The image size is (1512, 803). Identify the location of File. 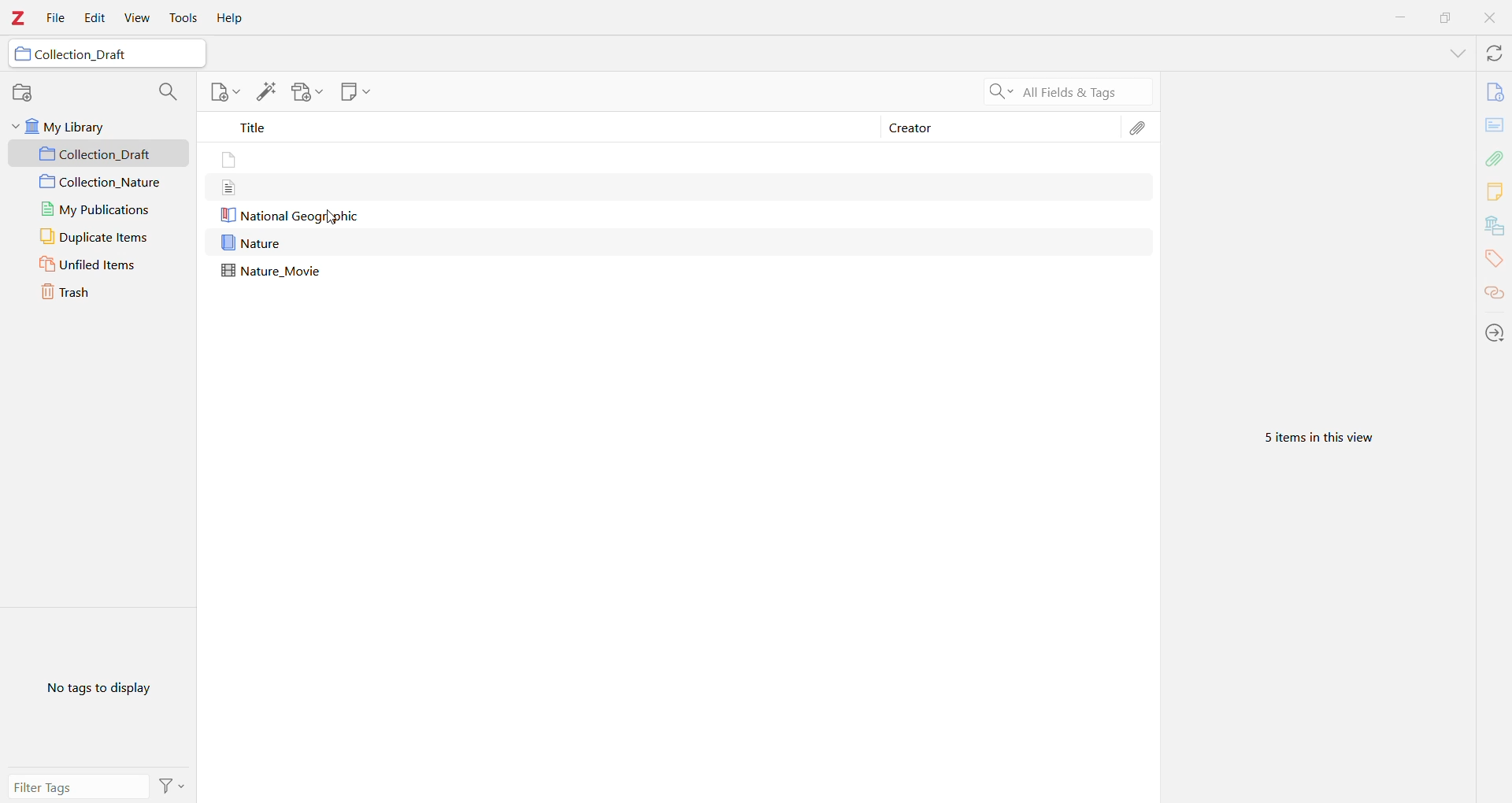
(57, 19).